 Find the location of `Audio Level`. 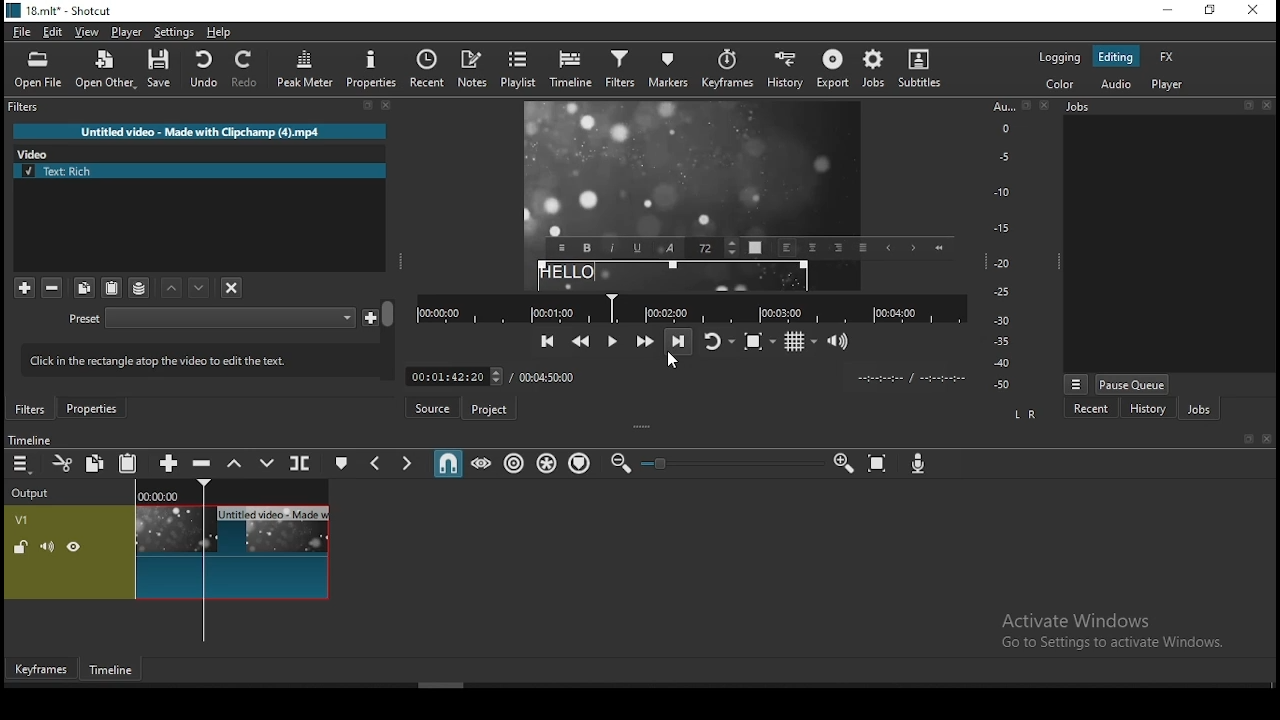

Audio Level is located at coordinates (1009, 246).